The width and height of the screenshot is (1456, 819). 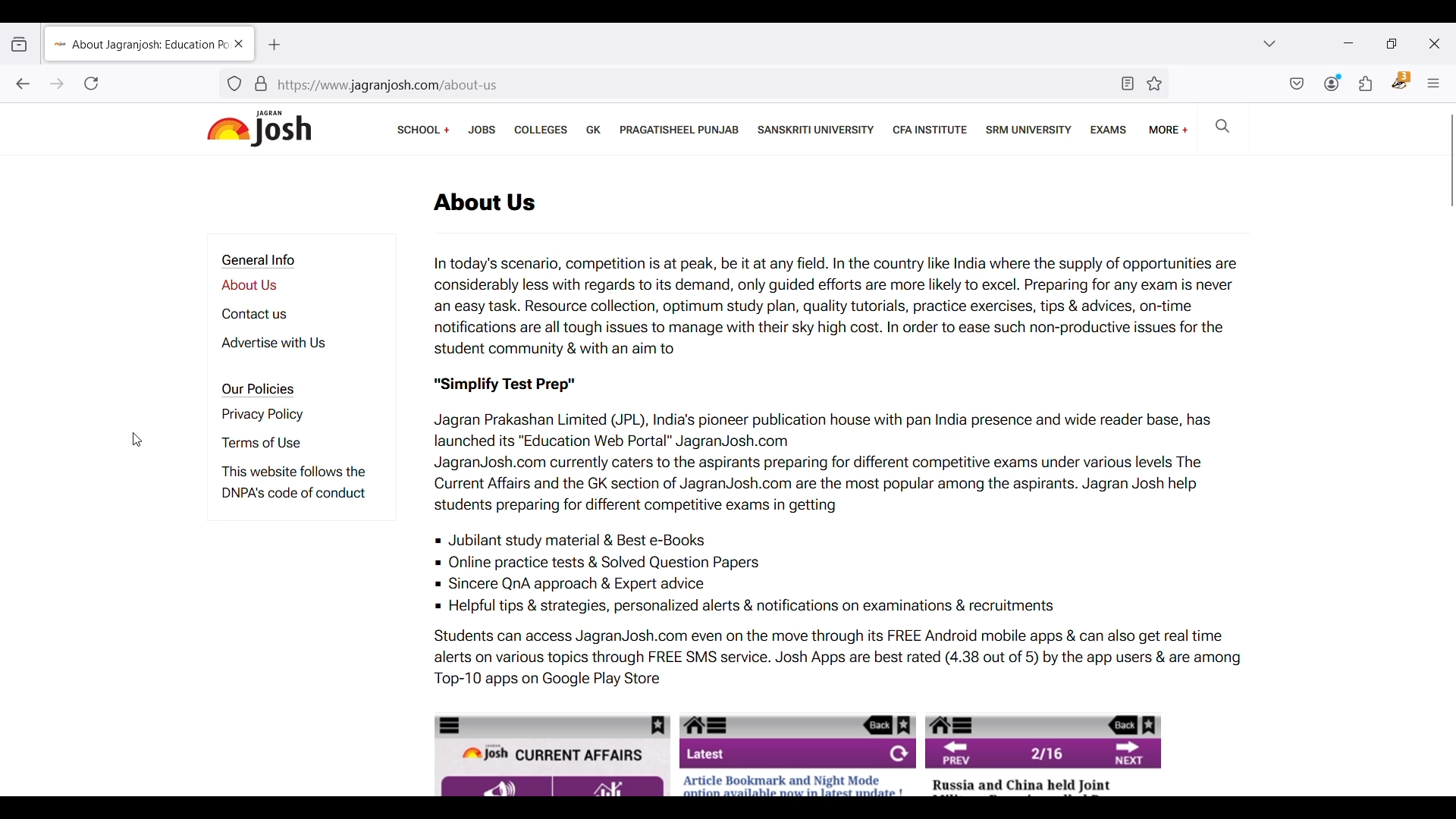 I want to click on Save to pocket, so click(x=1298, y=83).